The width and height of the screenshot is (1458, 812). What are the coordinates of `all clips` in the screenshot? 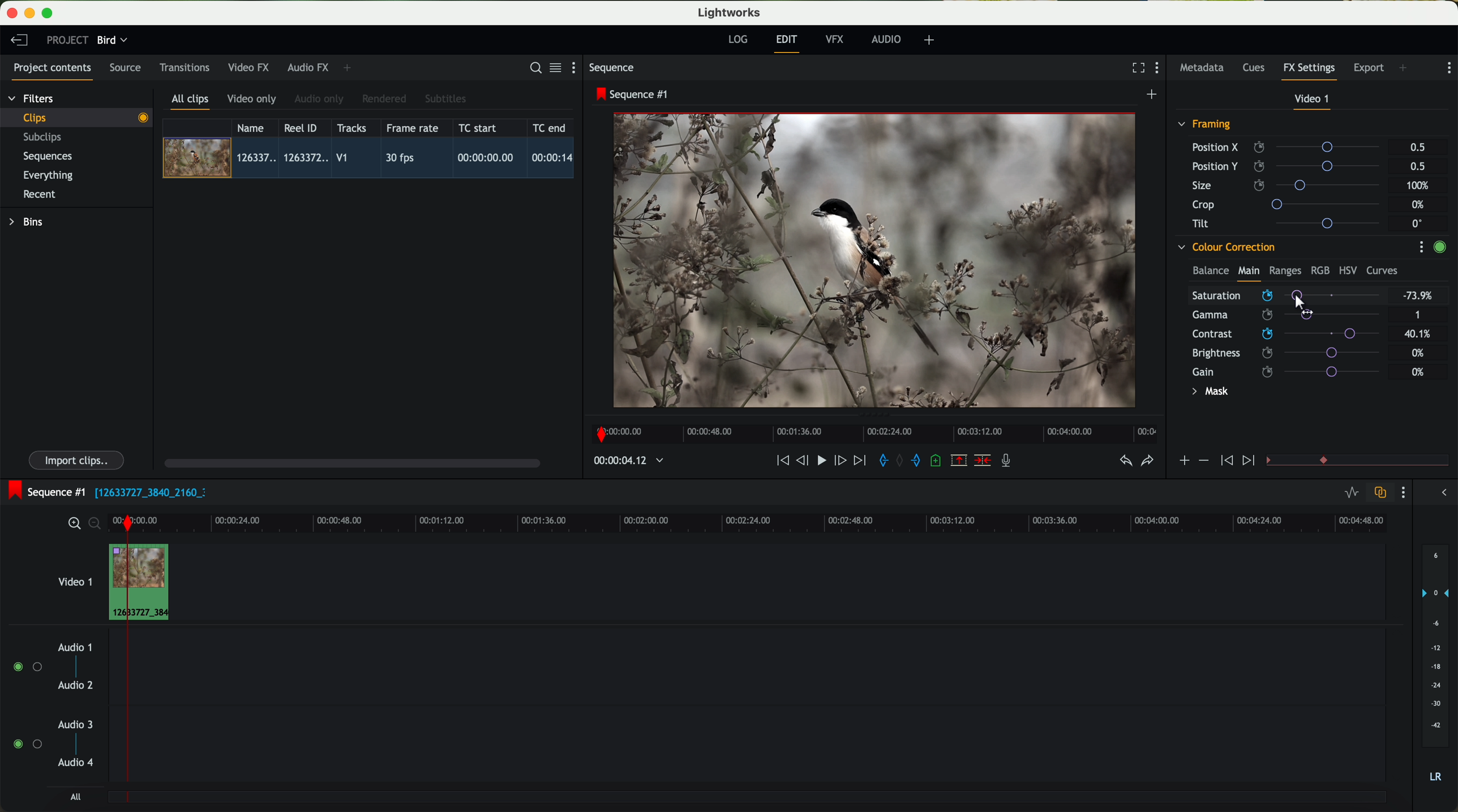 It's located at (191, 102).